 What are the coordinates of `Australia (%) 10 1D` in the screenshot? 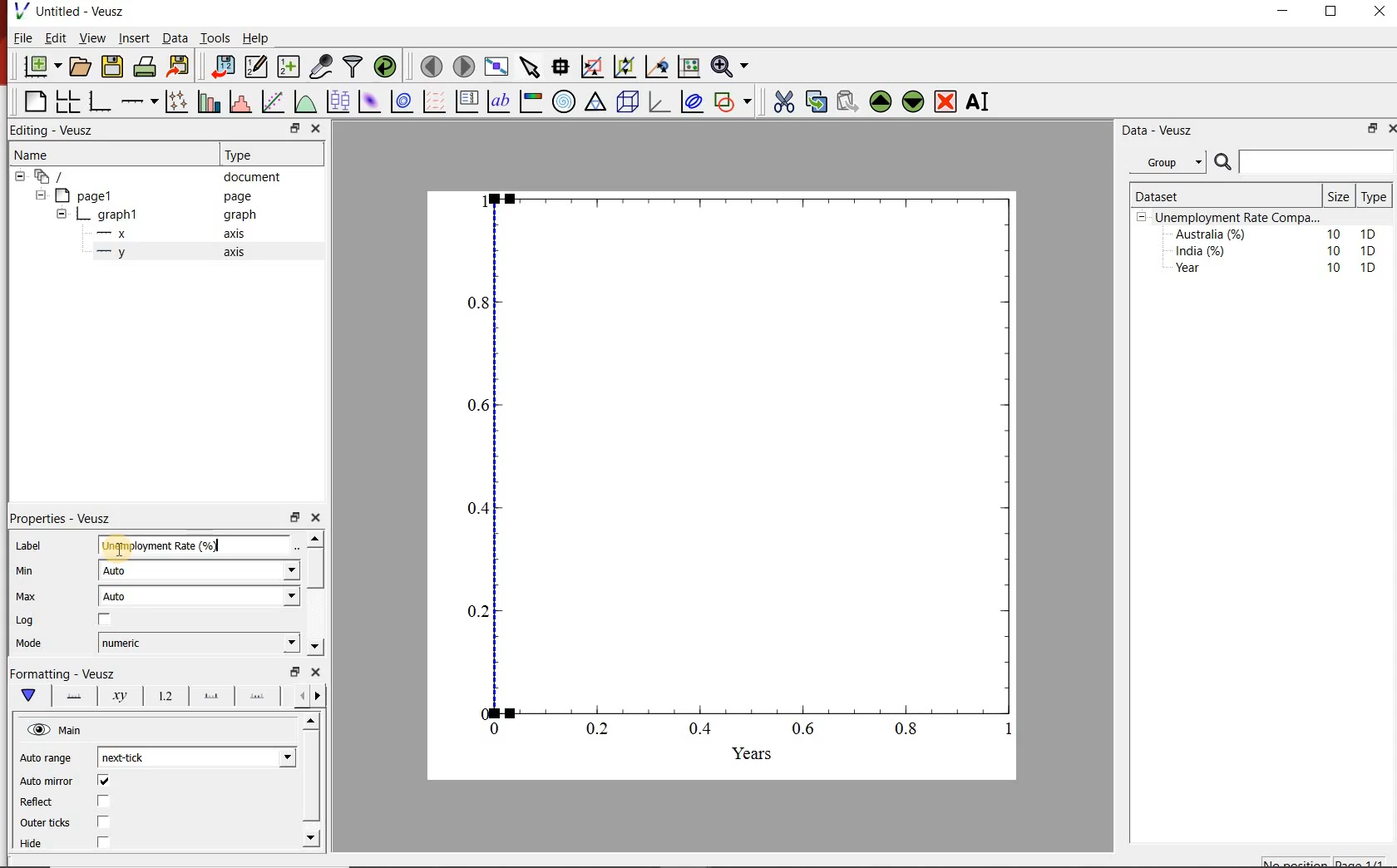 It's located at (1277, 234).